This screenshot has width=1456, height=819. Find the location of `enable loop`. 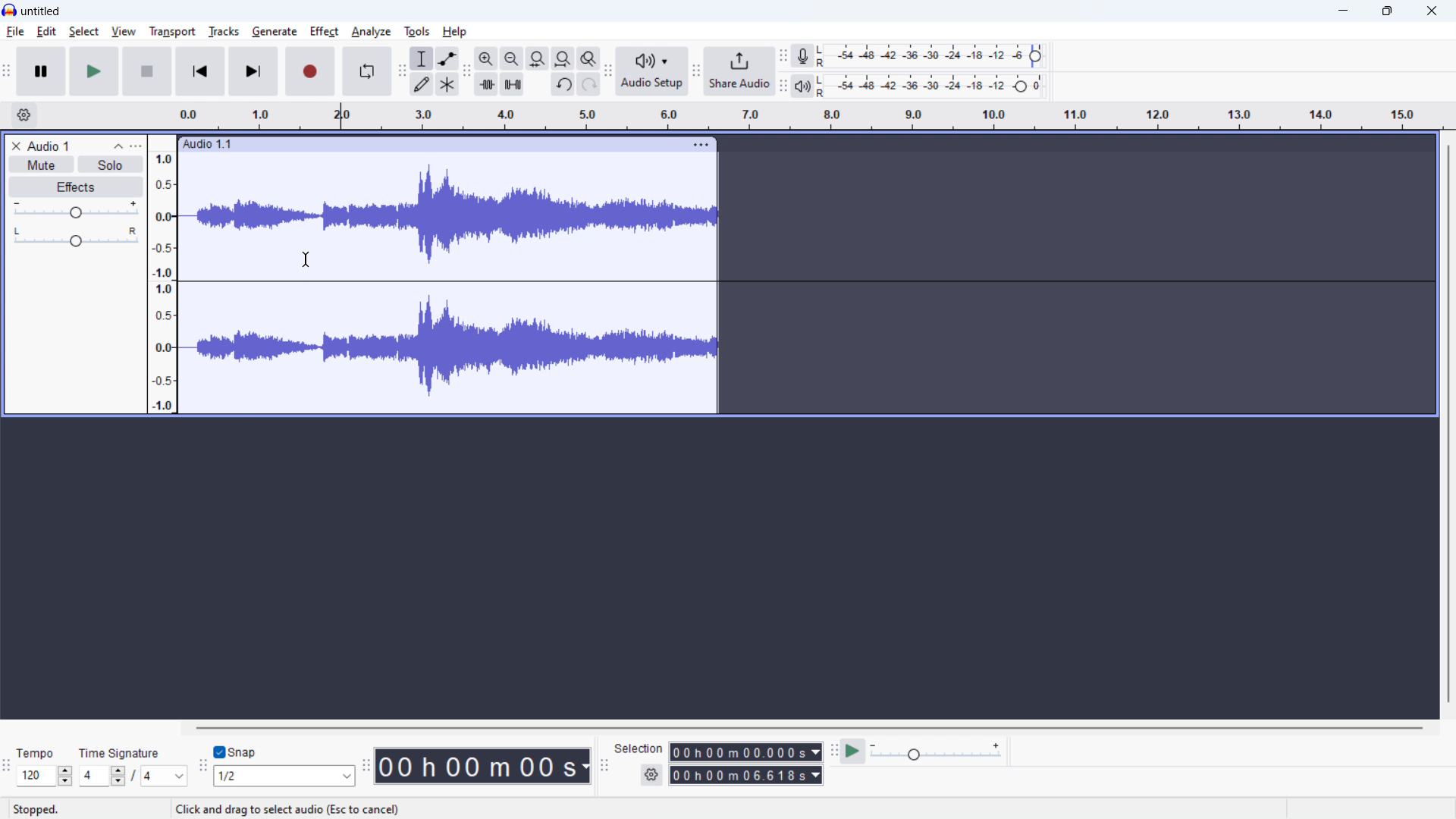

enable loop is located at coordinates (367, 71).